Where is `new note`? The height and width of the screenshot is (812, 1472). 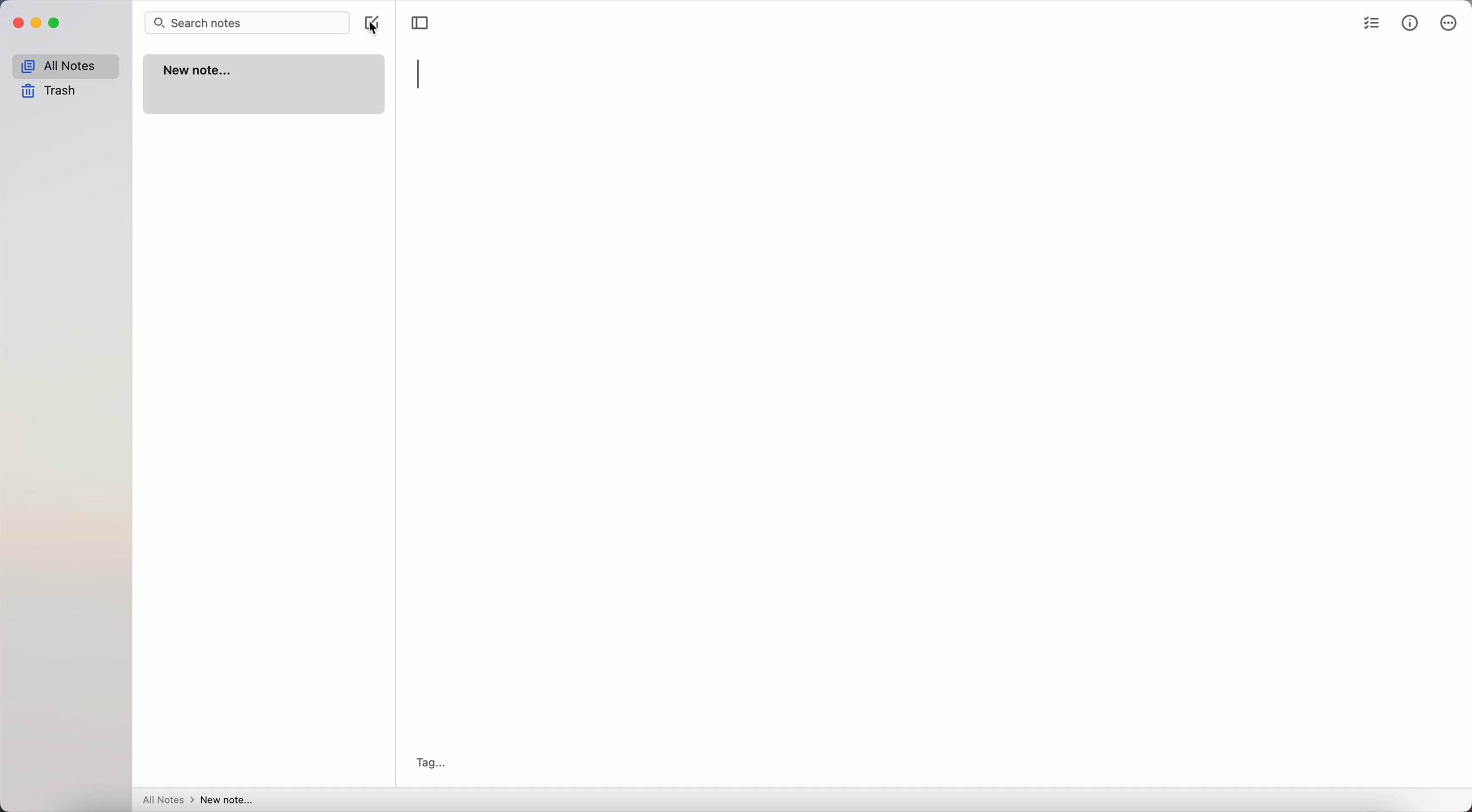 new note is located at coordinates (265, 85).